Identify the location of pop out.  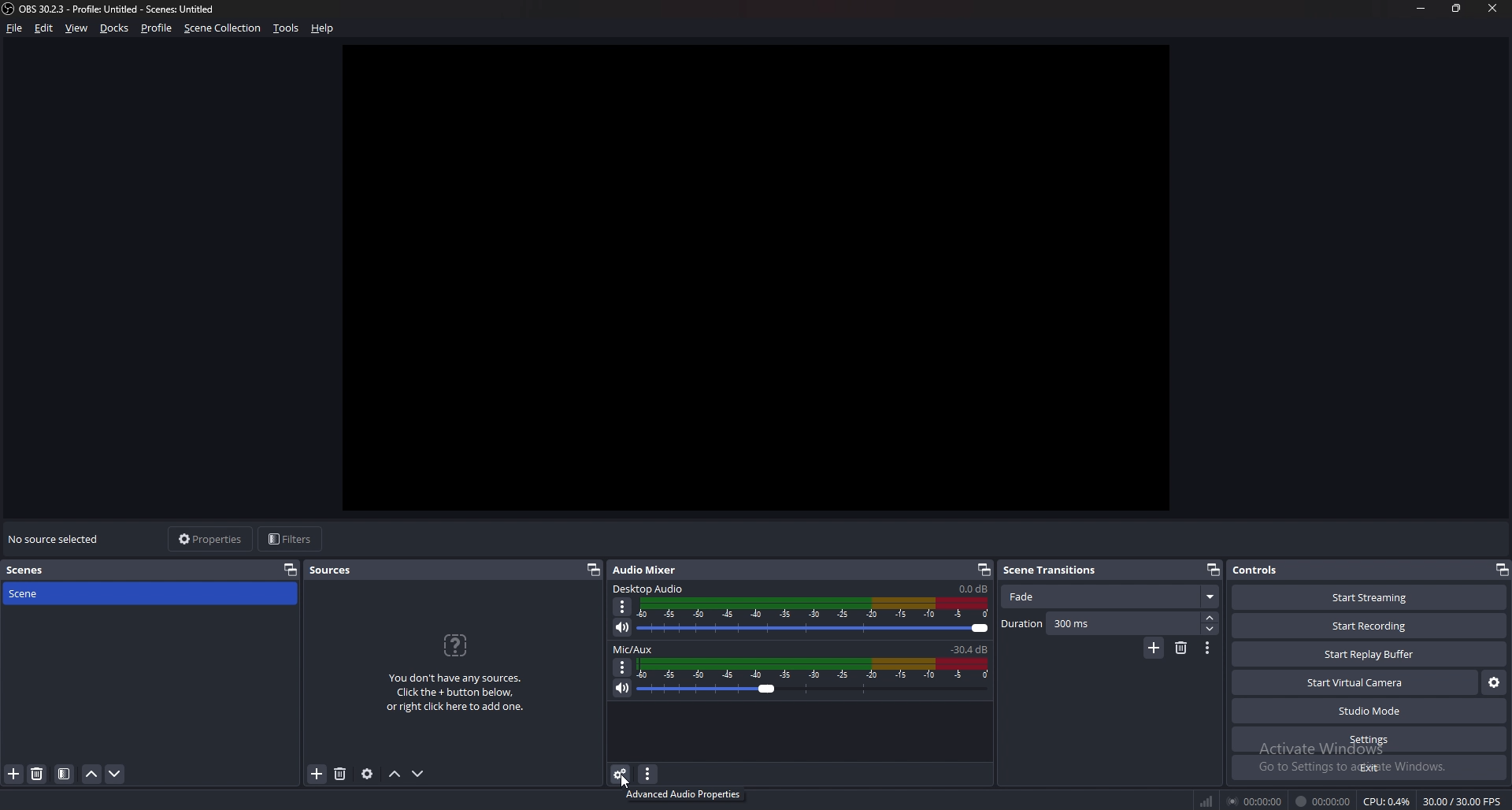
(984, 570).